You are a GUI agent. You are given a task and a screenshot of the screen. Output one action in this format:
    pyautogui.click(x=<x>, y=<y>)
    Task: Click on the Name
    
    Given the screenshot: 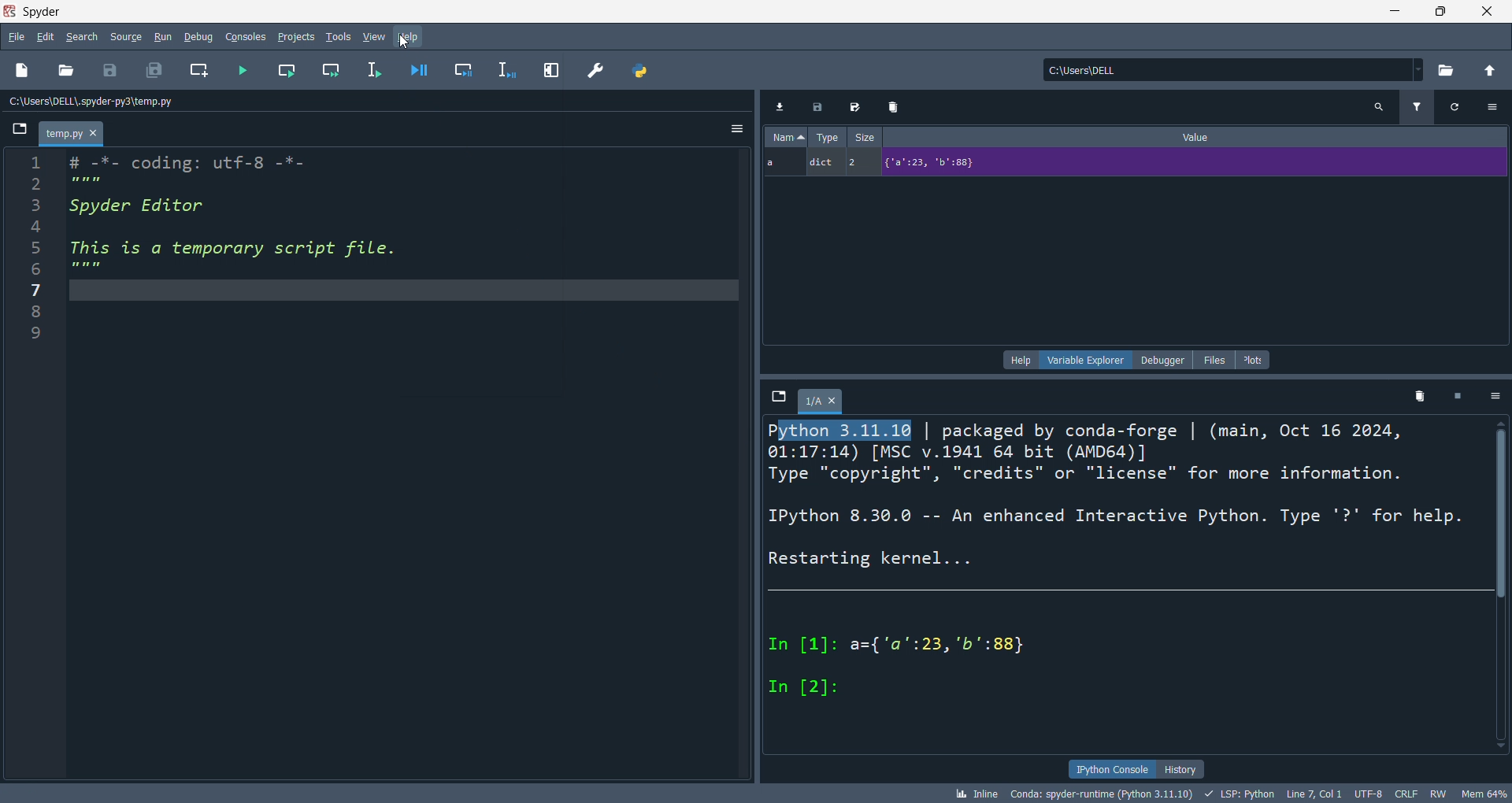 What is the action you would take?
    pyautogui.click(x=785, y=137)
    